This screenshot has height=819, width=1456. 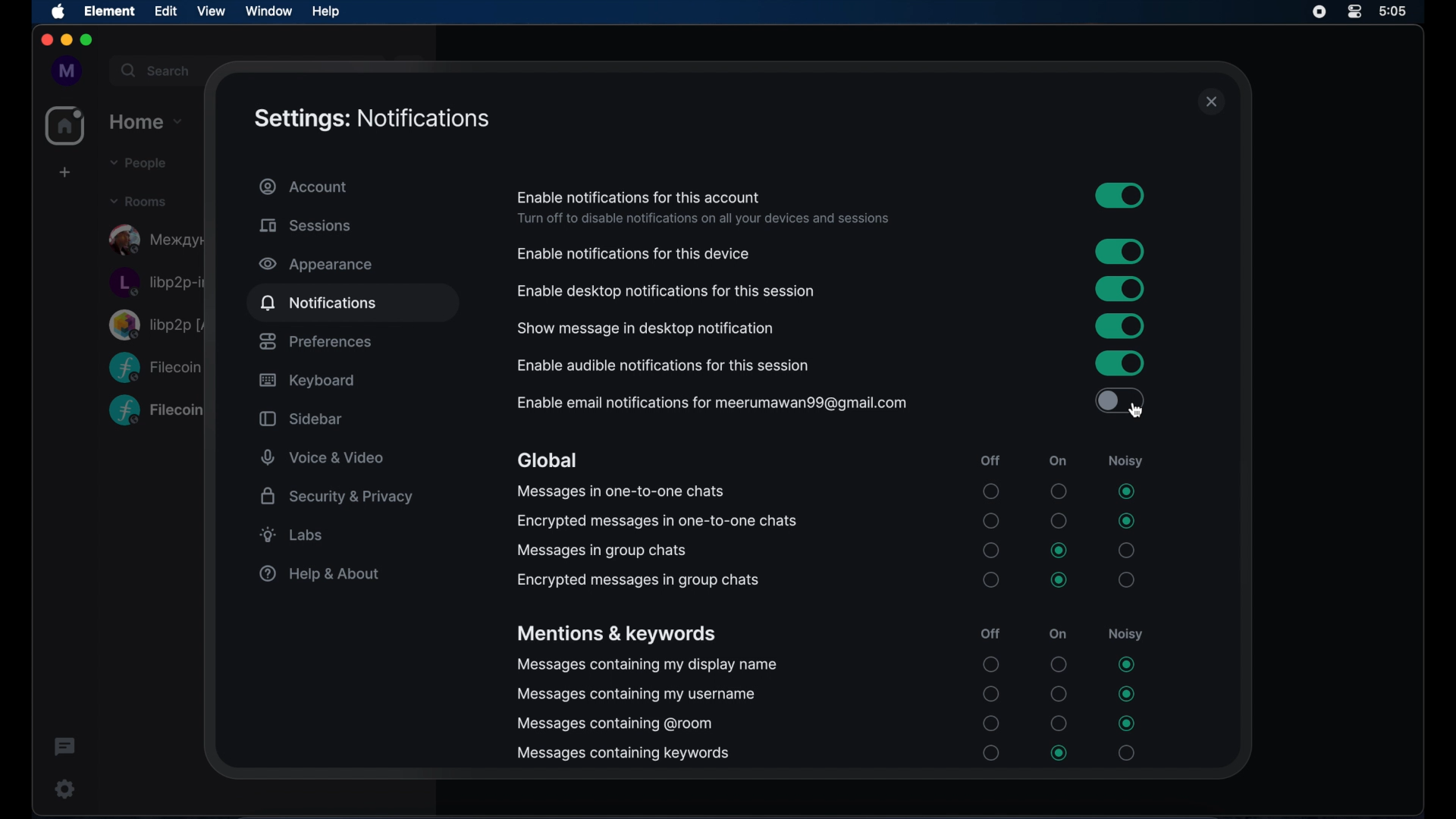 What do you see at coordinates (315, 341) in the screenshot?
I see `preferences` at bounding box center [315, 341].